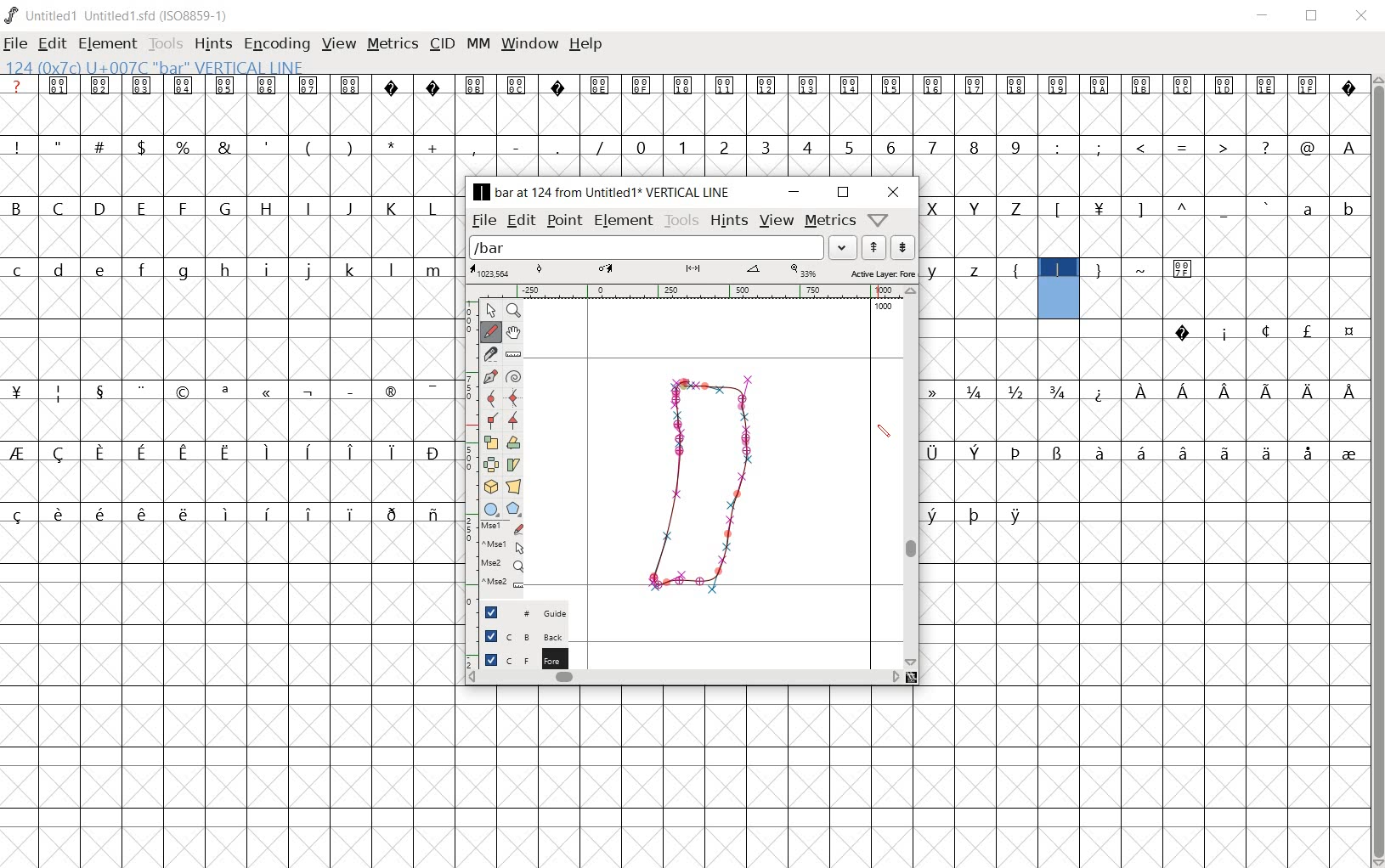 The height and width of the screenshot is (868, 1385). Describe the element at coordinates (493, 420) in the screenshot. I see `Add a corner point` at that location.